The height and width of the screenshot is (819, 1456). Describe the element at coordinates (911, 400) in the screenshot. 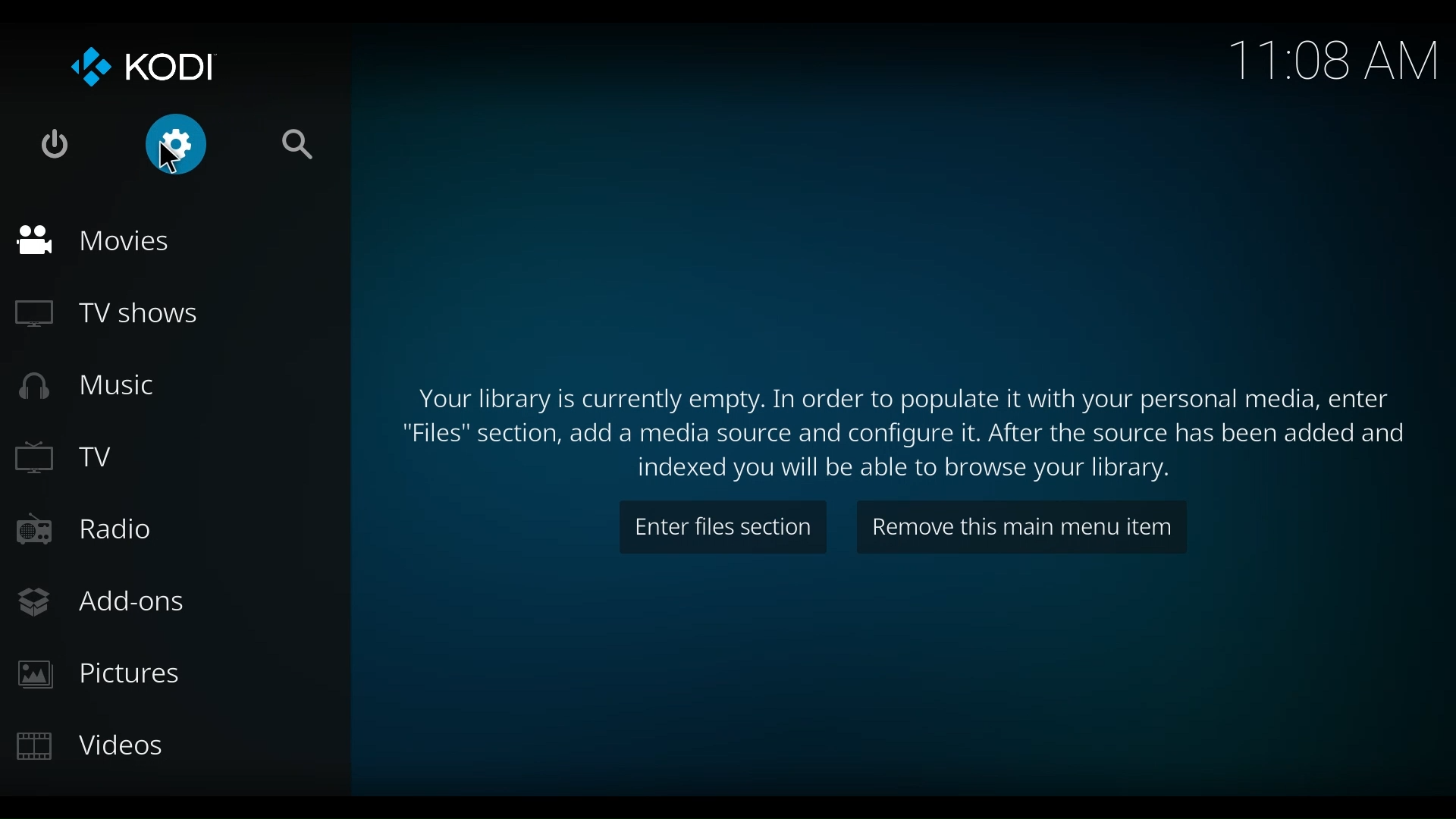

I see `Your library is currently empty. In order to populate it with your personal media, enter` at that location.